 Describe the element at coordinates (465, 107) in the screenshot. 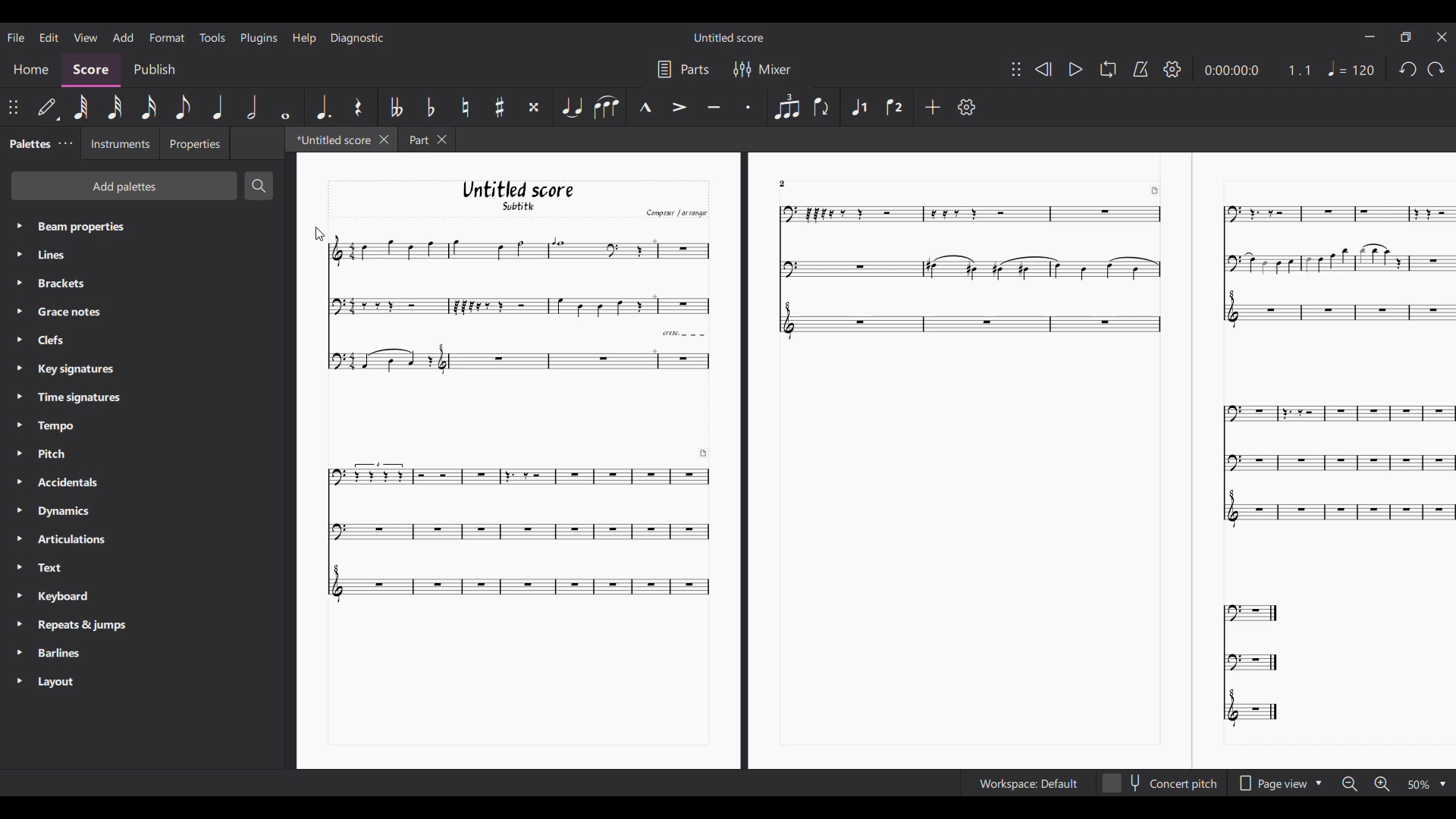

I see `Toggle natural` at that location.